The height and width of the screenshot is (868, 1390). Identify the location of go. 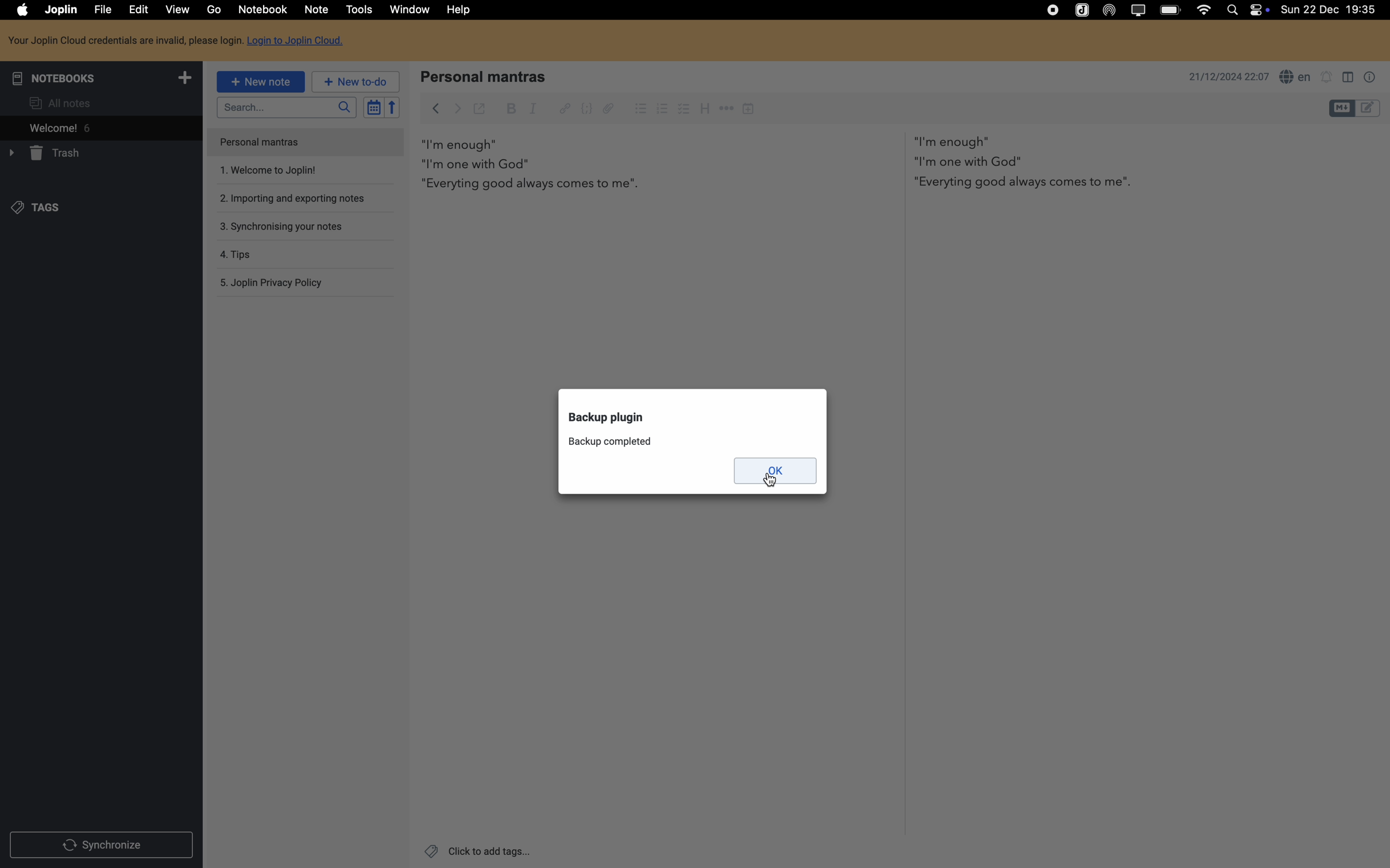
(213, 10).